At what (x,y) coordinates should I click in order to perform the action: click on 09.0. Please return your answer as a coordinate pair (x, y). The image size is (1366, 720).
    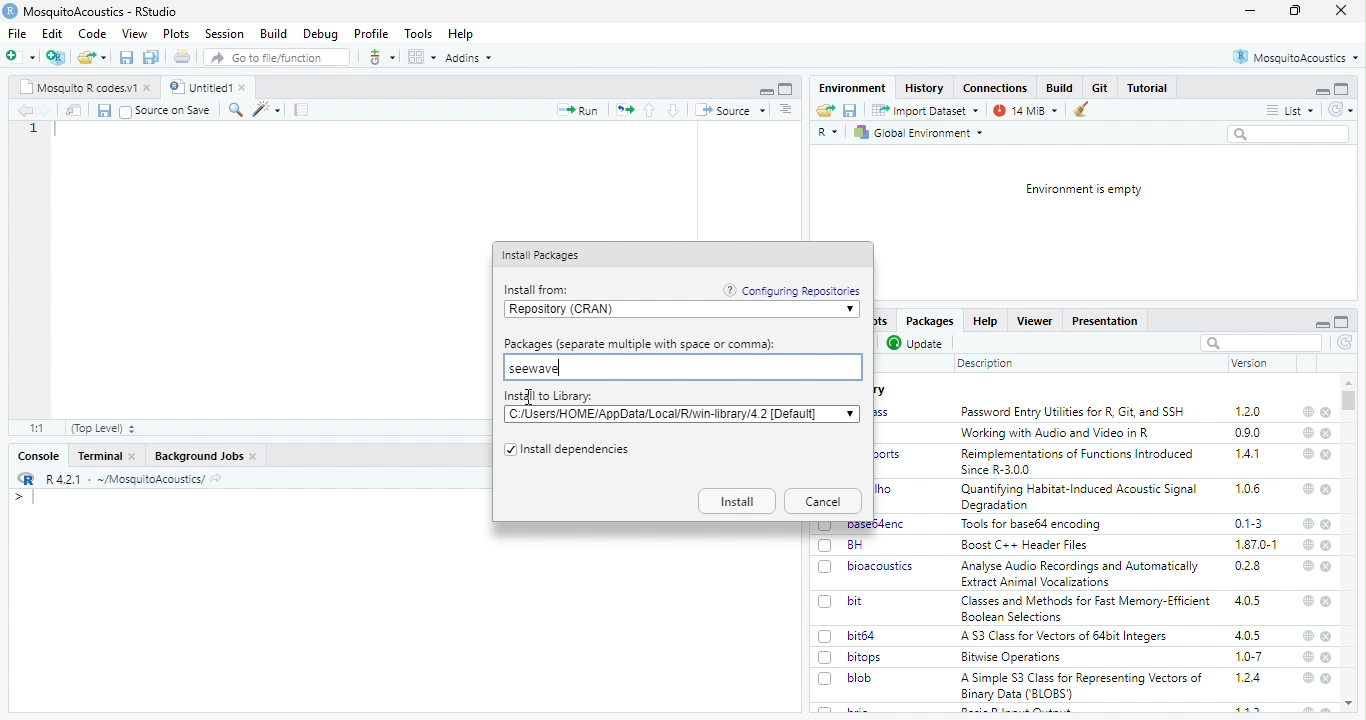
    Looking at the image, I should click on (1248, 433).